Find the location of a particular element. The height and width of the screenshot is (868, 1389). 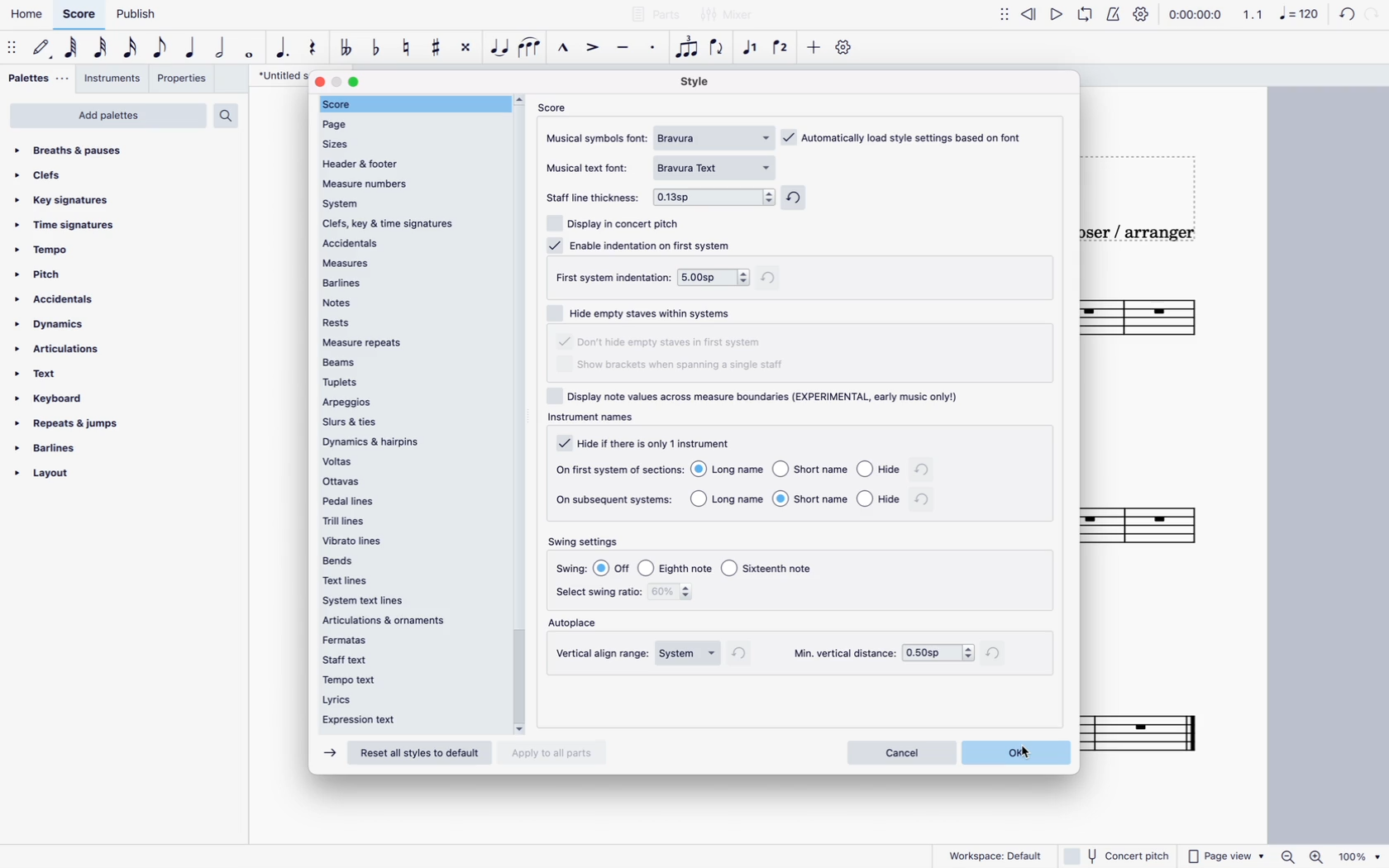

flip direction is located at coordinates (721, 50).